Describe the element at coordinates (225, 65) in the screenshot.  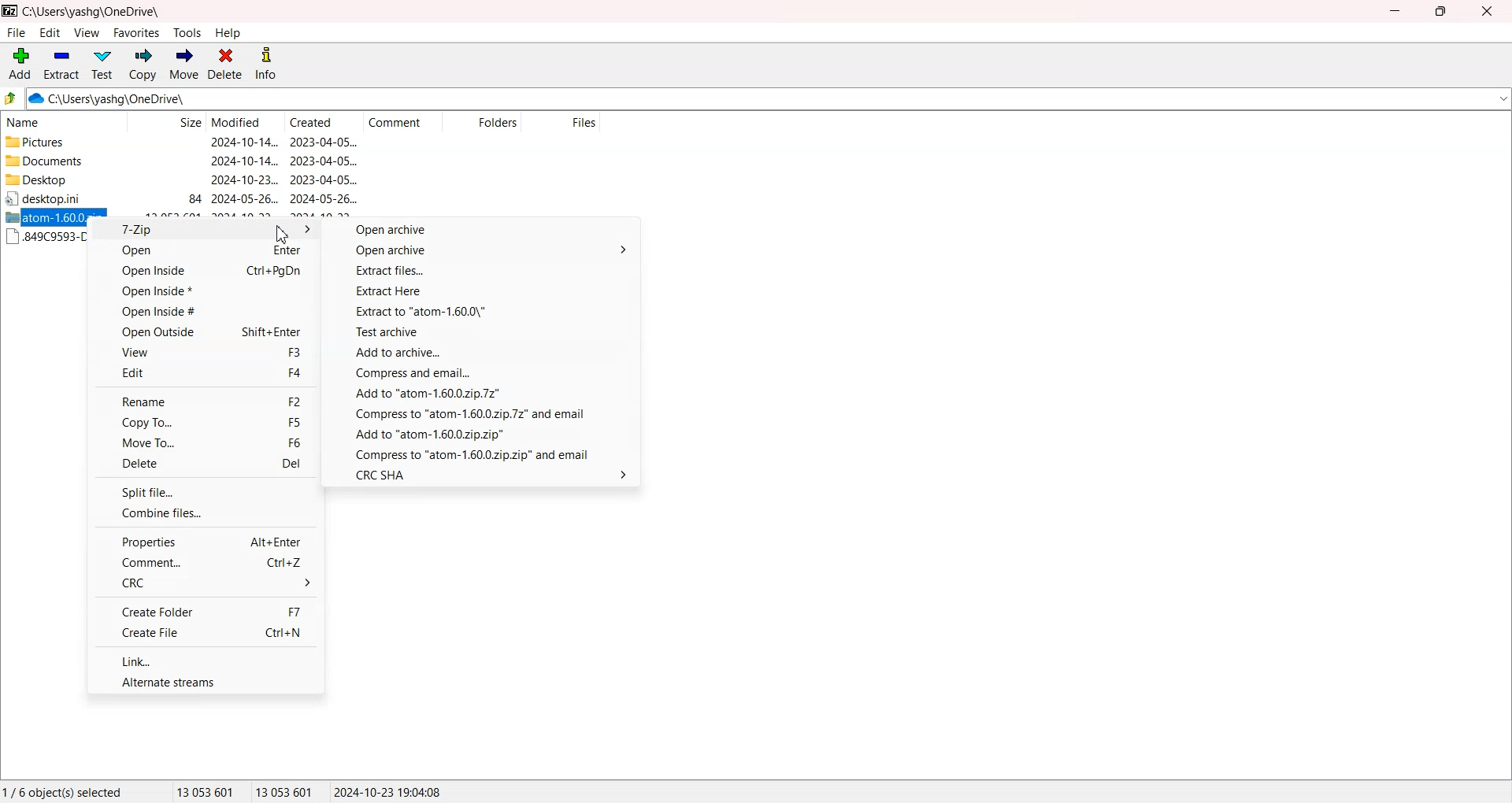
I see `Delete` at that location.